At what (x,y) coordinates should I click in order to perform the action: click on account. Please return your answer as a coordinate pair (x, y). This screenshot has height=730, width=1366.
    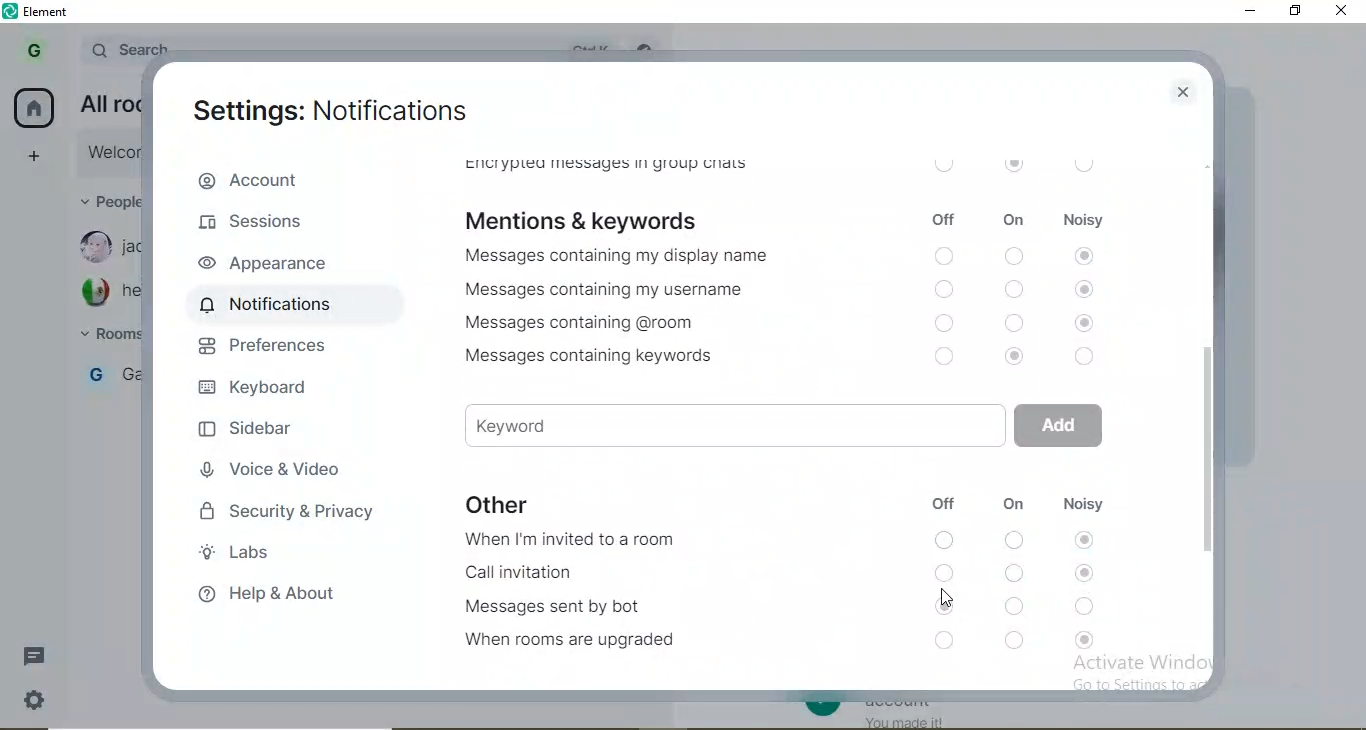
    Looking at the image, I should click on (240, 178).